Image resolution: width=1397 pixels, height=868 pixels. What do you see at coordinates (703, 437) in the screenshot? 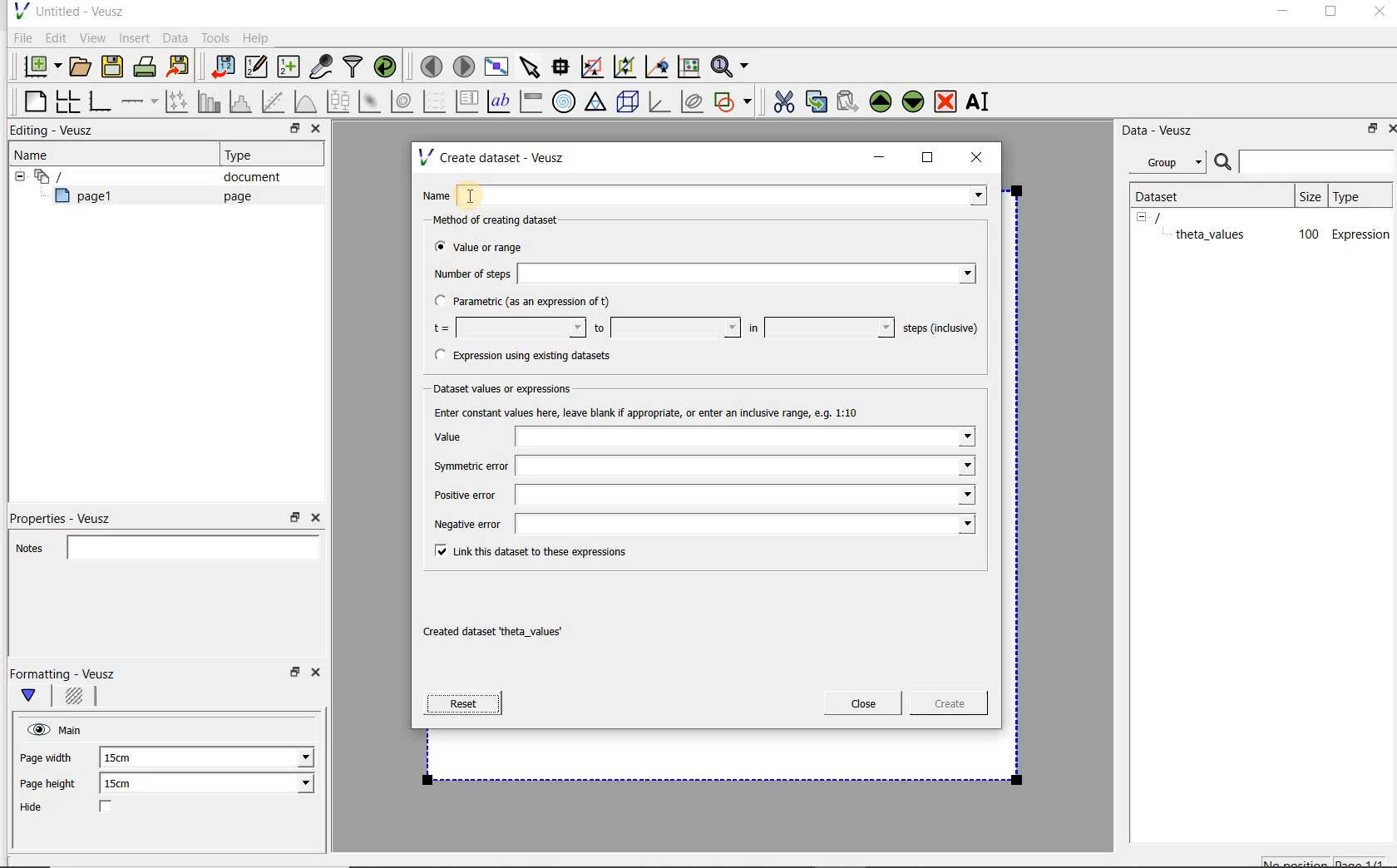
I see `Value` at bounding box center [703, 437].